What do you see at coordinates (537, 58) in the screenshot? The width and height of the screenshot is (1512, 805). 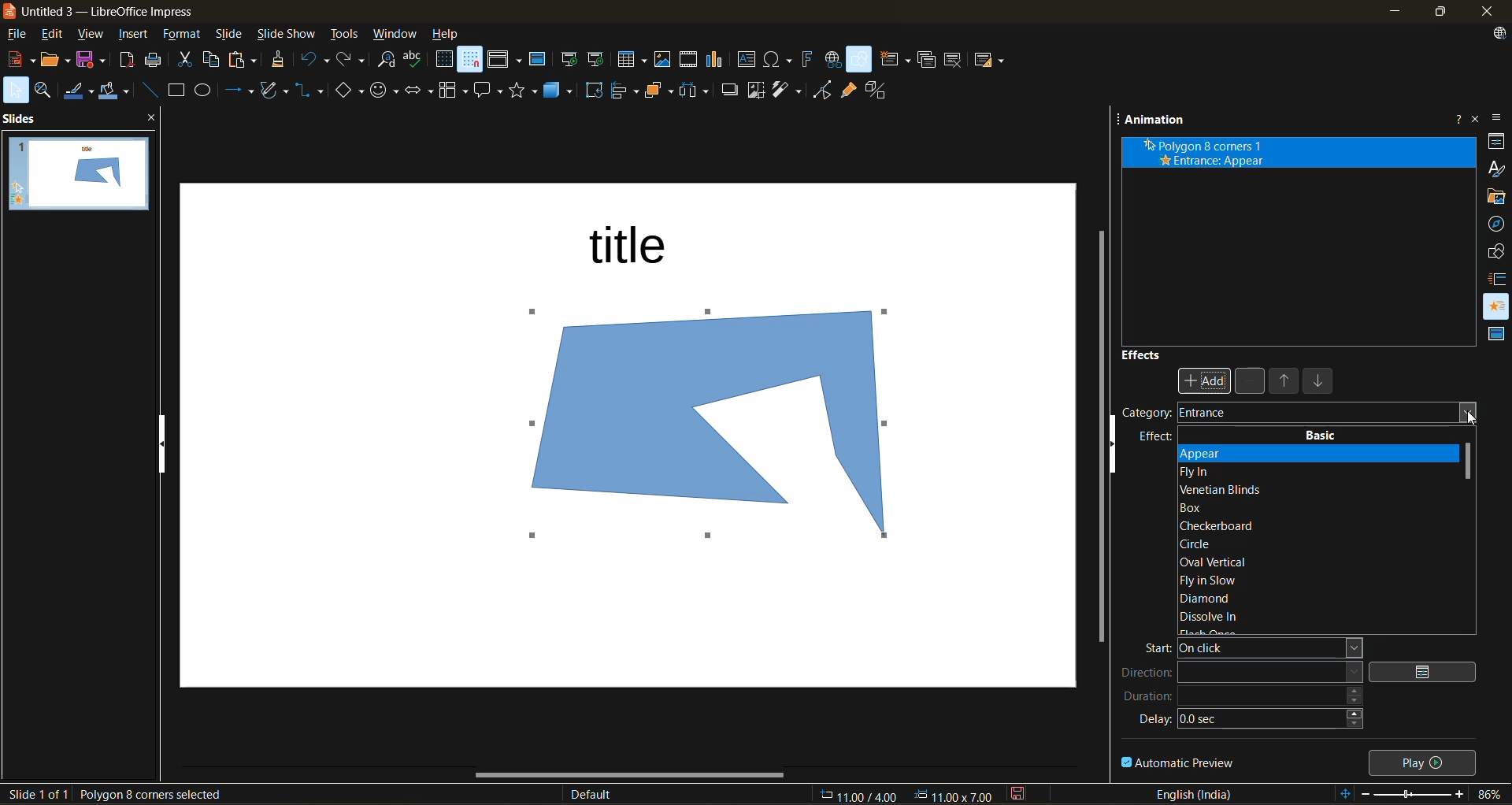 I see `master slide` at bounding box center [537, 58].